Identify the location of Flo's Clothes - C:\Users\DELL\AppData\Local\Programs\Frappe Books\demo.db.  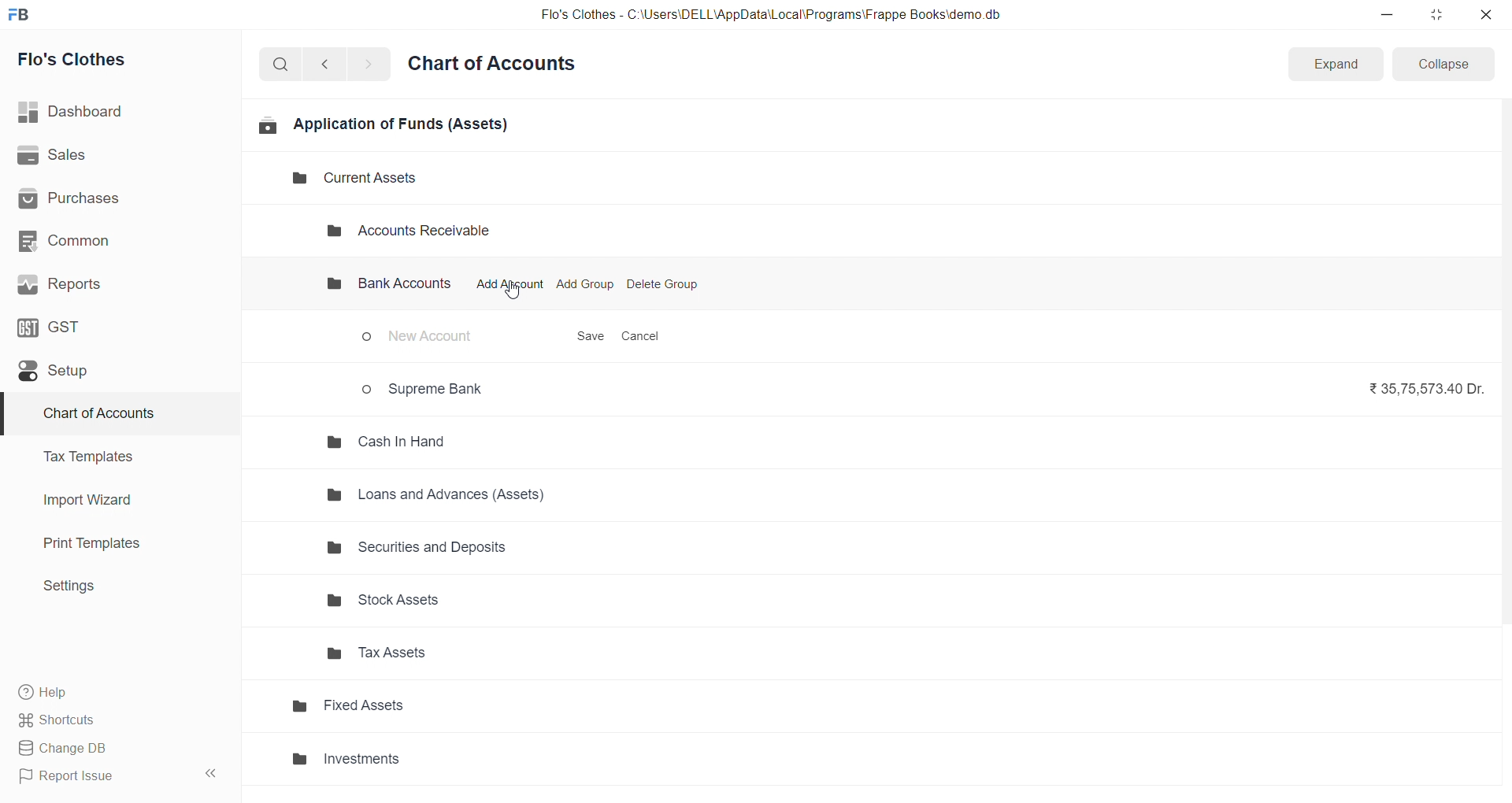
(771, 15).